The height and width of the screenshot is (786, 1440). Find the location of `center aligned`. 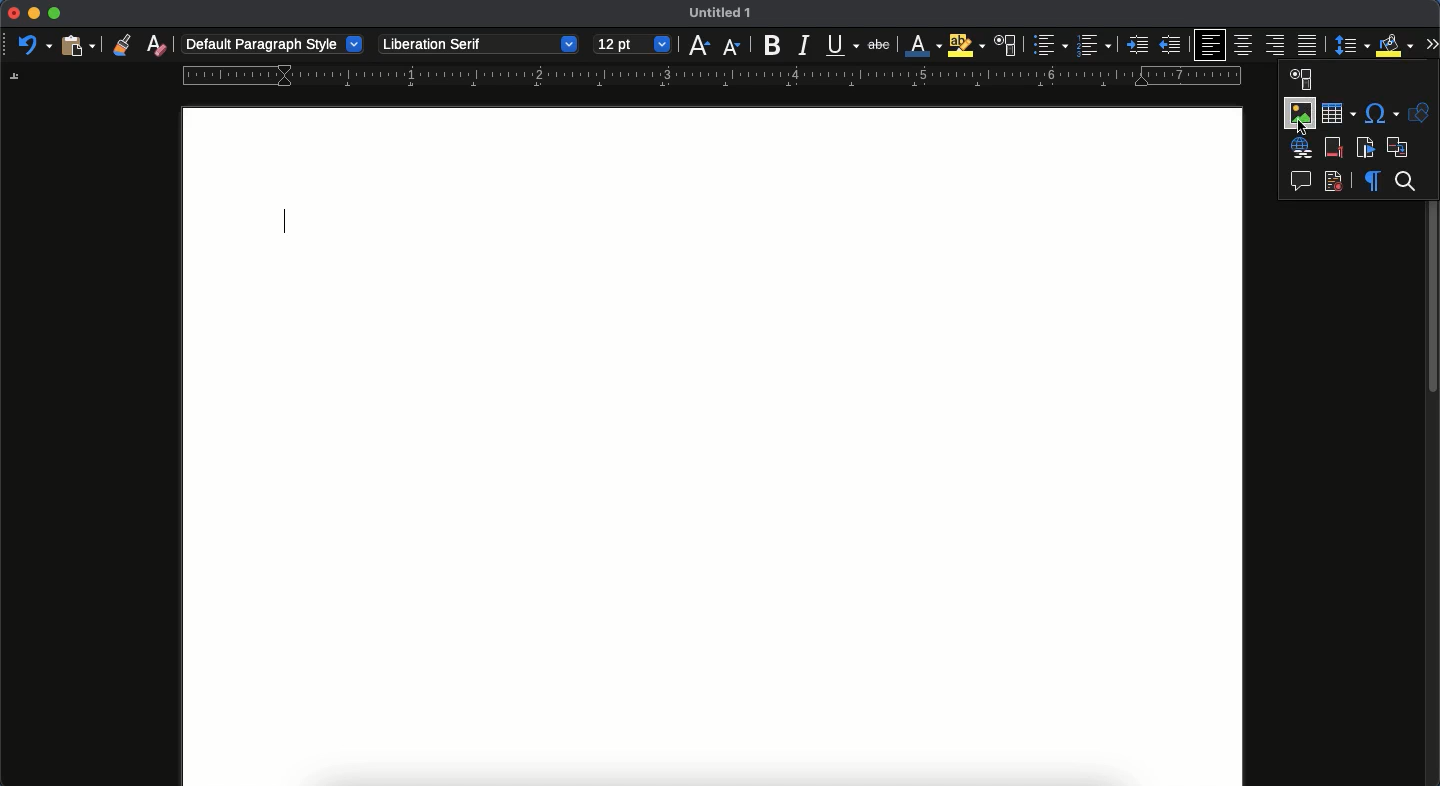

center aligned is located at coordinates (1246, 44).